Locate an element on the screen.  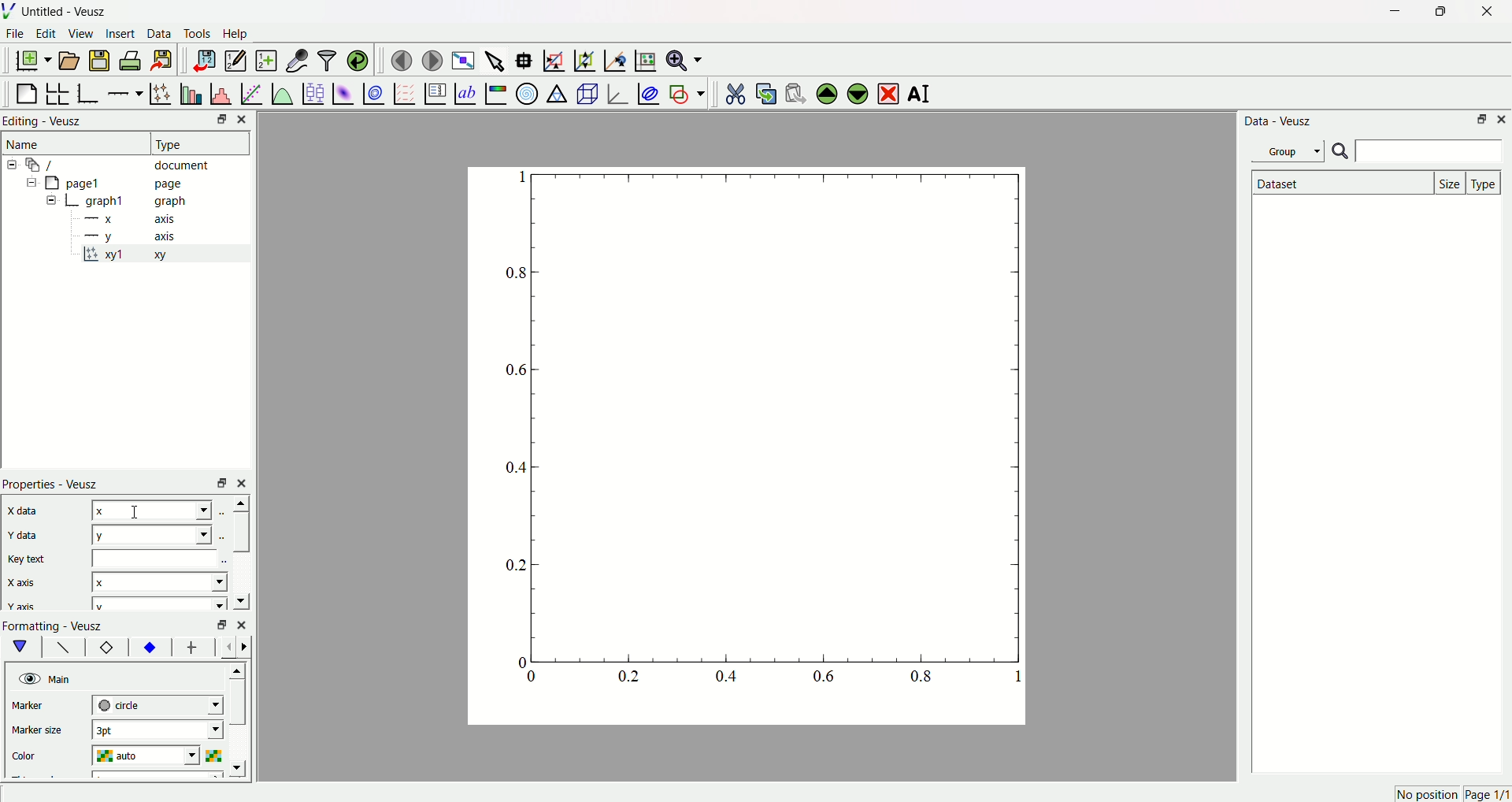
polar graphs is located at coordinates (527, 91).